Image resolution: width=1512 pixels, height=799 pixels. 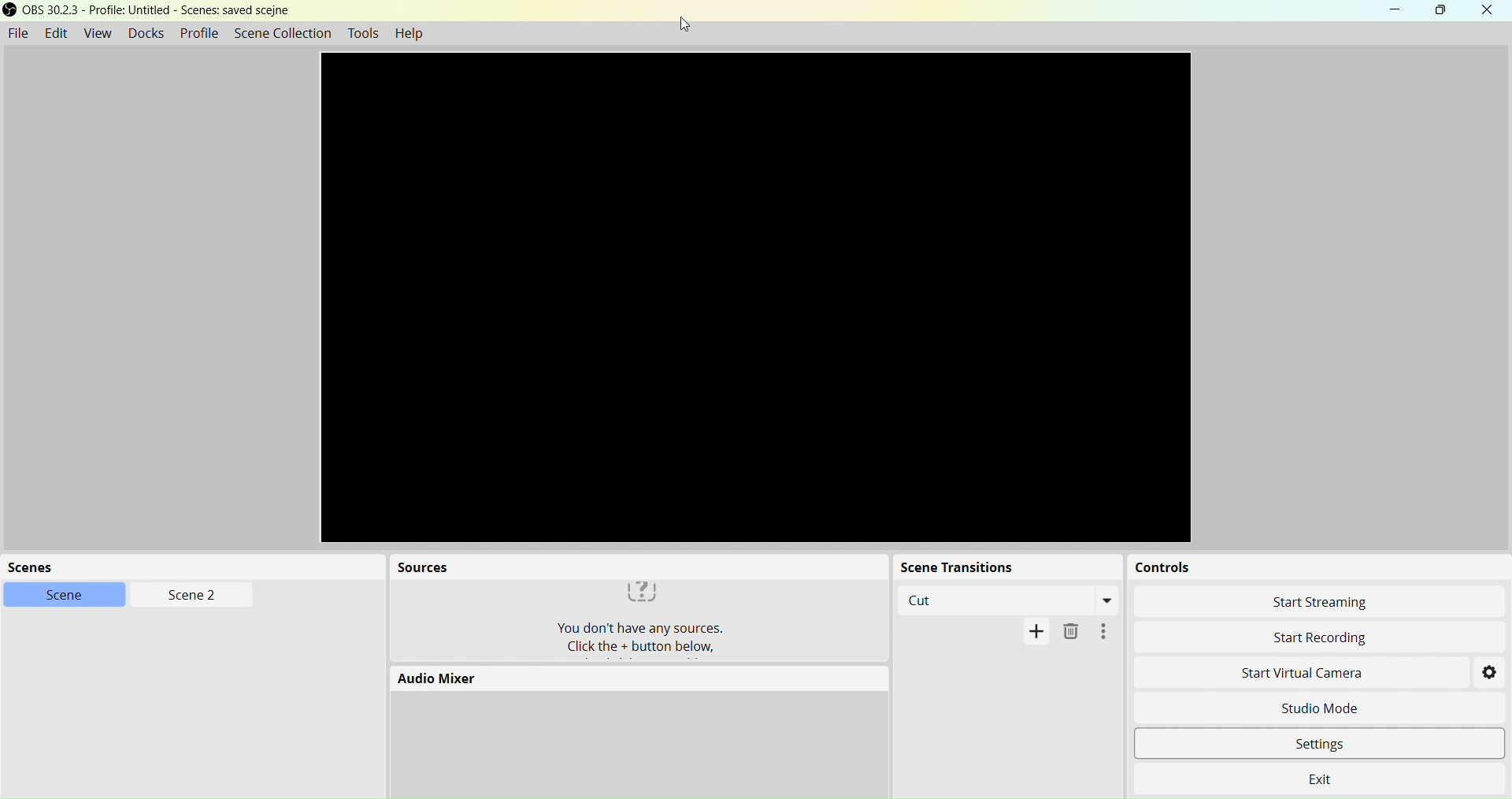 I want to click on View, so click(x=95, y=32).